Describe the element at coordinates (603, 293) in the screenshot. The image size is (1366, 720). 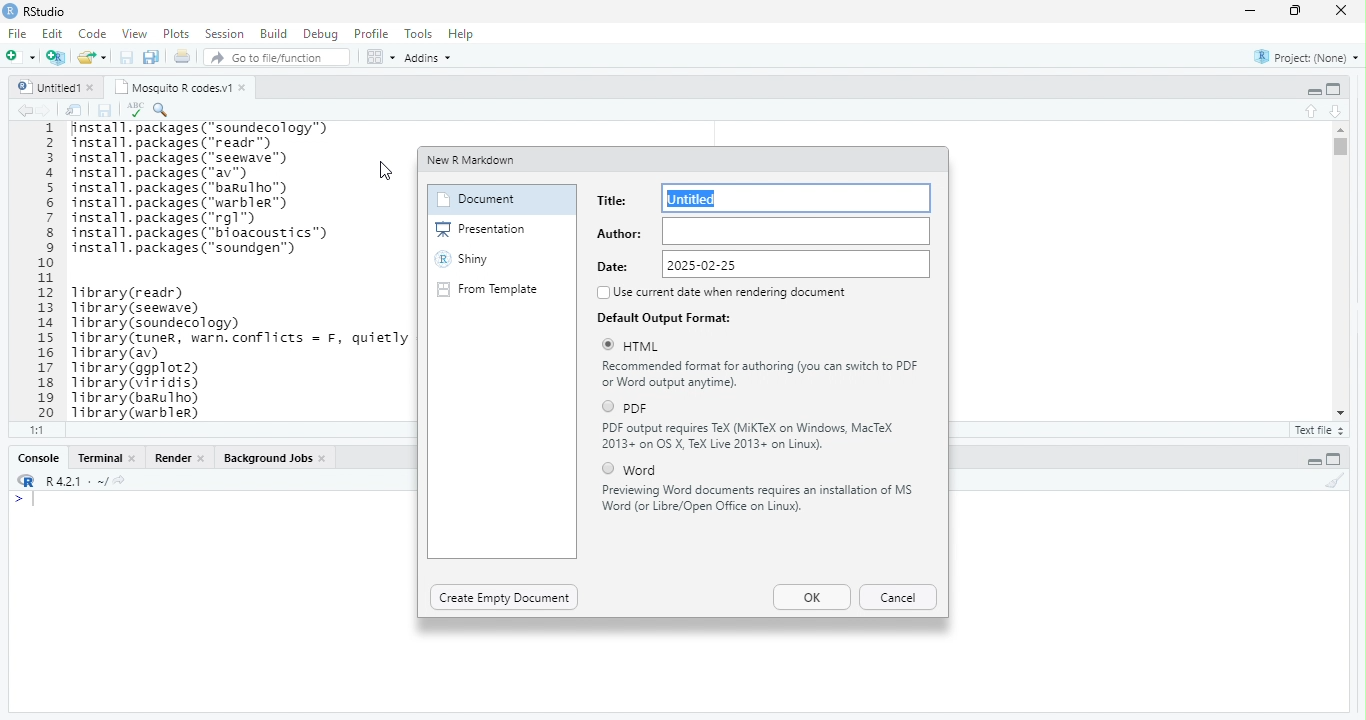
I see `Checkbox` at that location.